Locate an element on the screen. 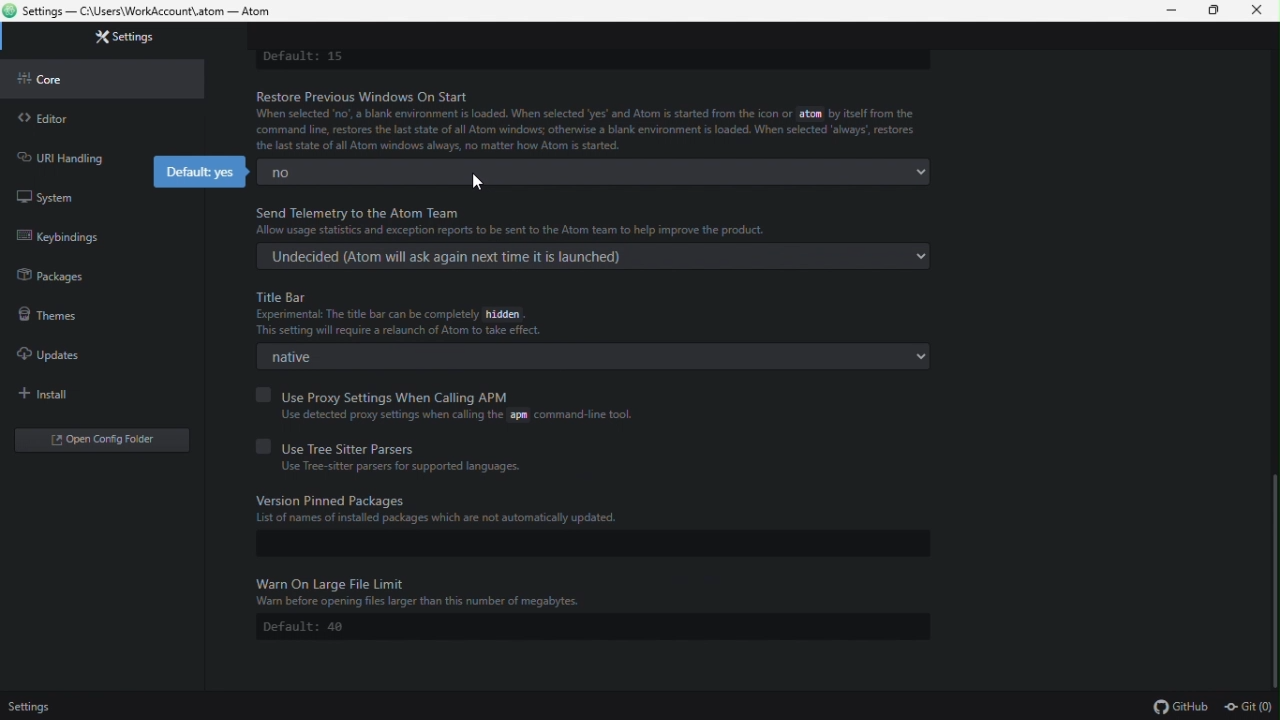  restore is located at coordinates (1218, 11).